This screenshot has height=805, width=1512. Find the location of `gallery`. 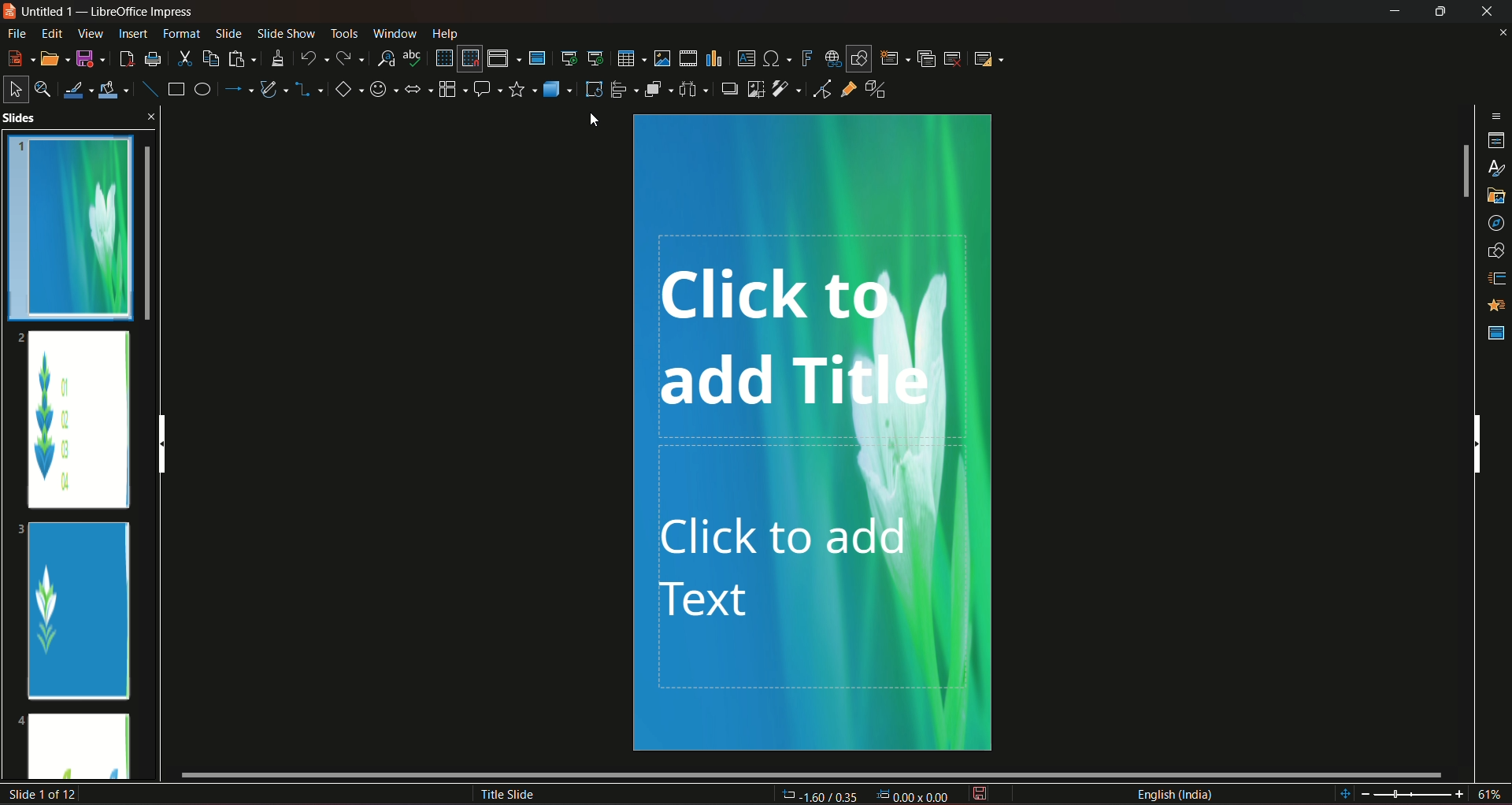

gallery is located at coordinates (1494, 198).